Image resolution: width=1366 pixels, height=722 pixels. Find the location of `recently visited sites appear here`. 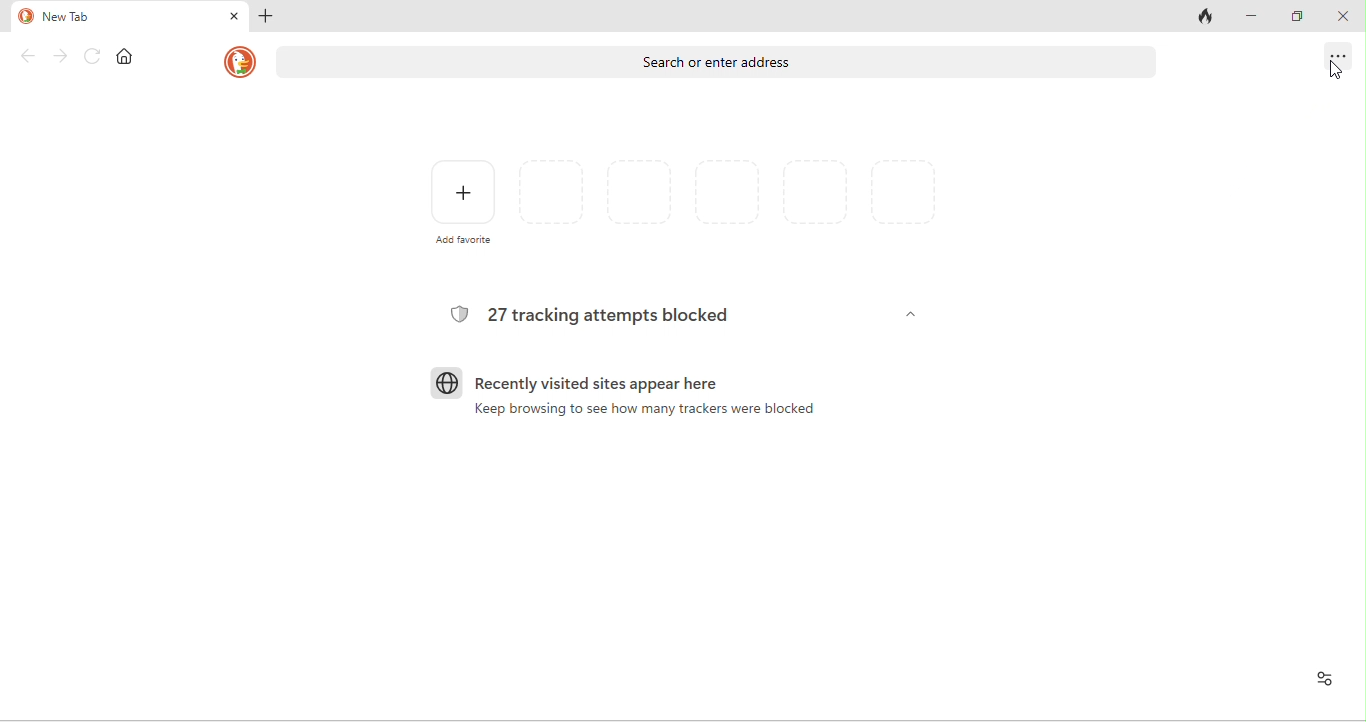

recently visited sites appear here is located at coordinates (598, 384).